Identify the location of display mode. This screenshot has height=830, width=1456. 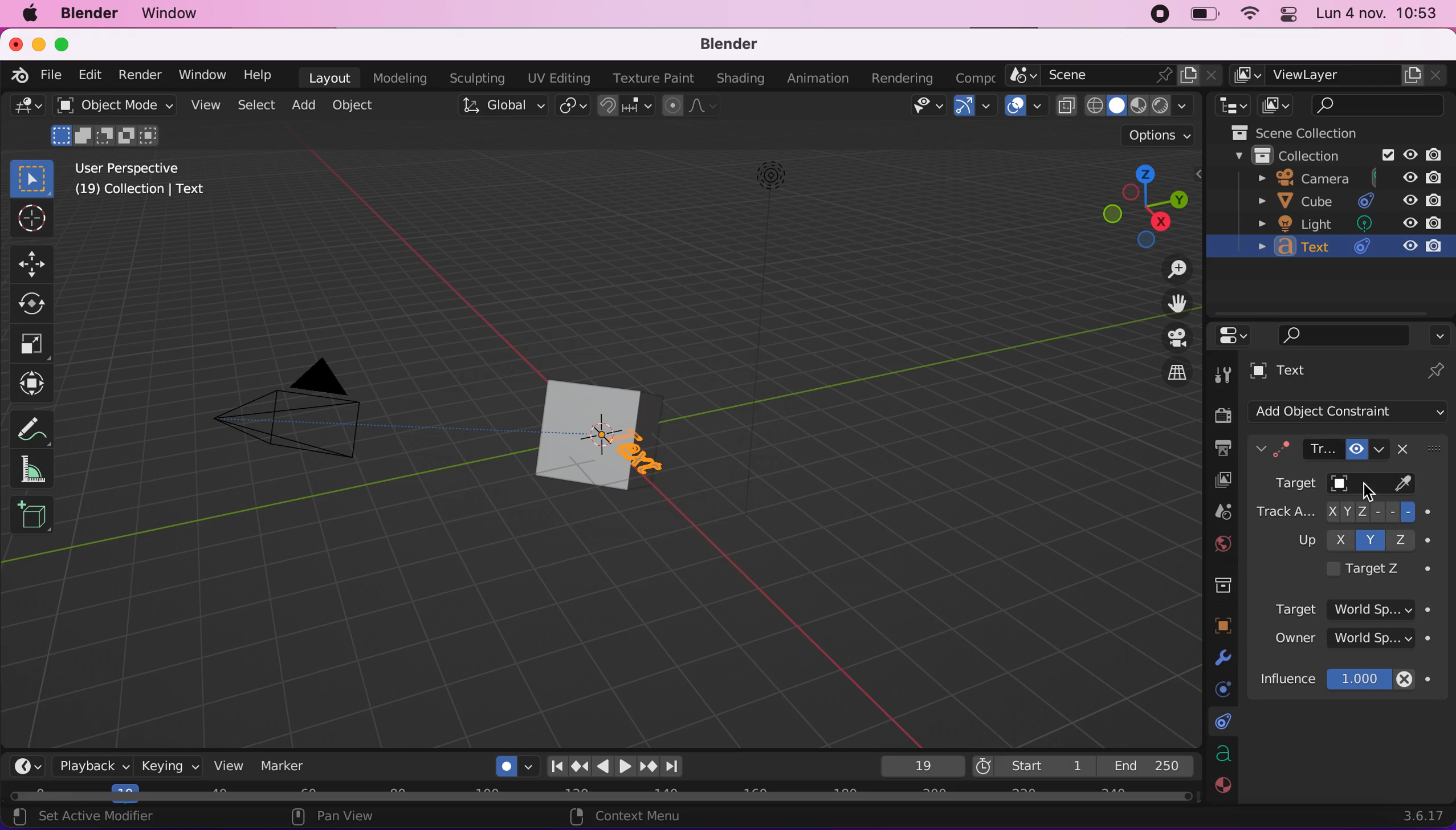
(1276, 105).